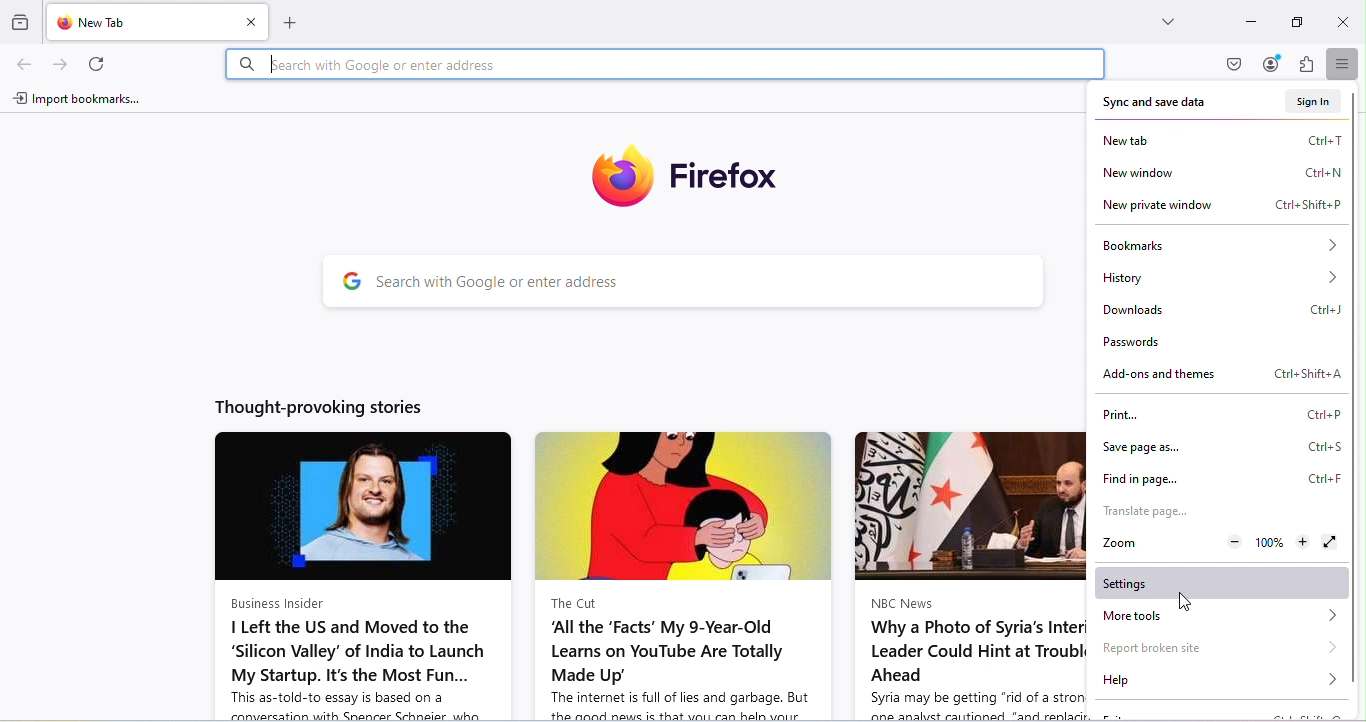 The image size is (1366, 722). I want to click on Help, so click(1222, 683).